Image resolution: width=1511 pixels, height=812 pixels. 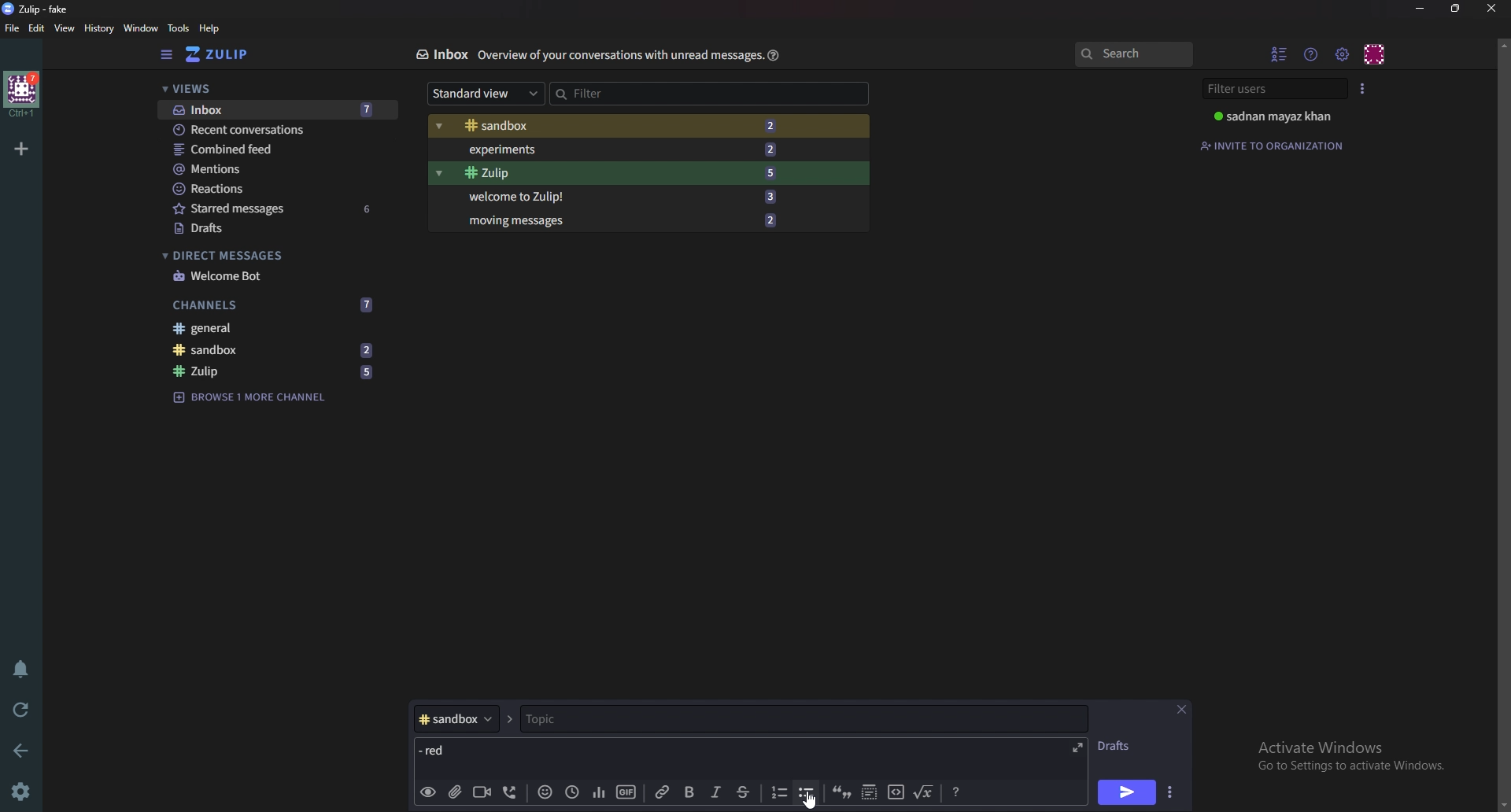 What do you see at coordinates (24, 666) in the screenshot?
I see `Enable do not disturb` at bounding box center [24, 666].